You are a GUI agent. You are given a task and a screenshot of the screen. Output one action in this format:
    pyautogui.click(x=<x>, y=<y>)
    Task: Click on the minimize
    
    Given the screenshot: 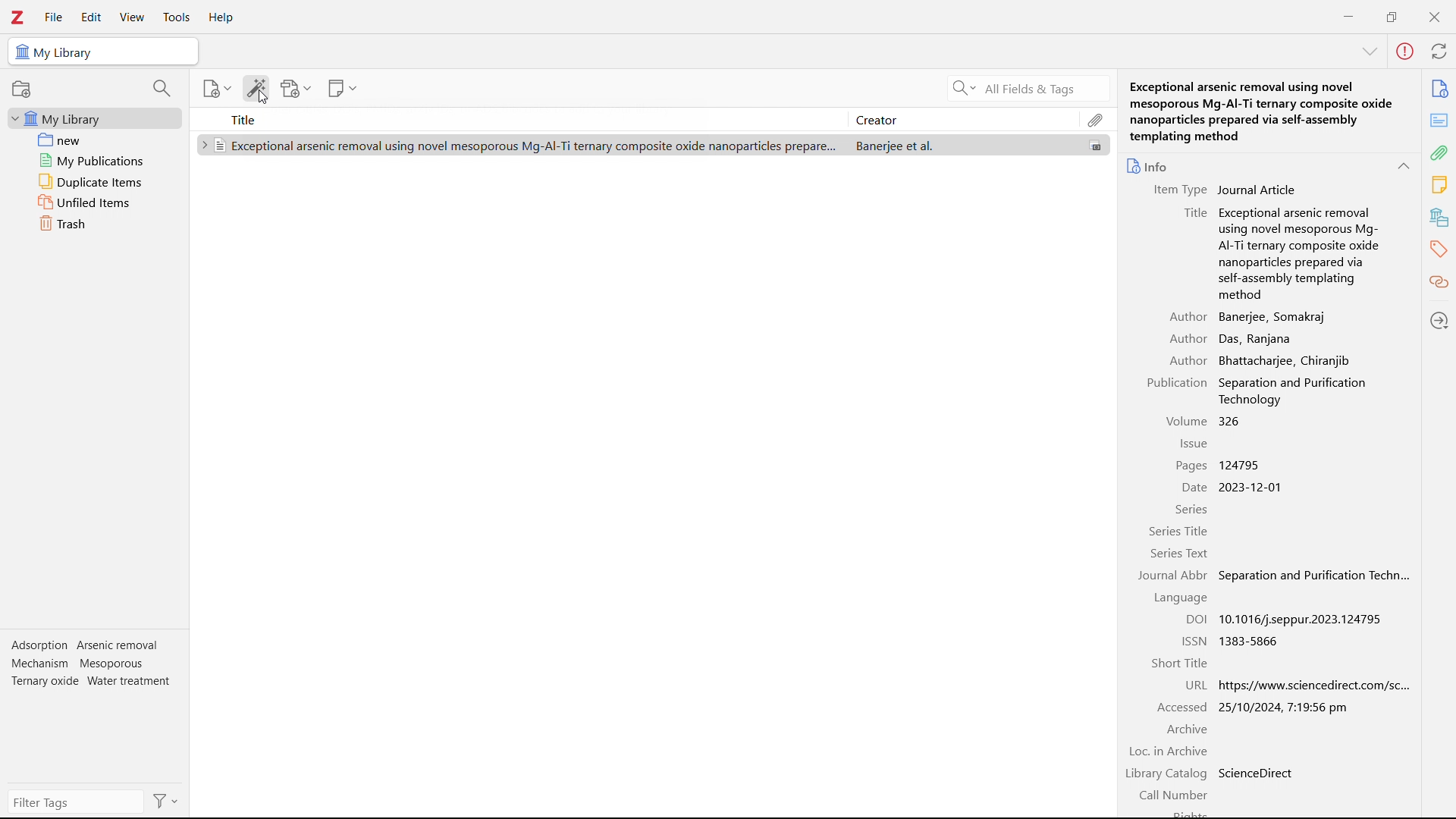 What is the action you would take?
    pyautogui.click(x=1348, y=15)
    